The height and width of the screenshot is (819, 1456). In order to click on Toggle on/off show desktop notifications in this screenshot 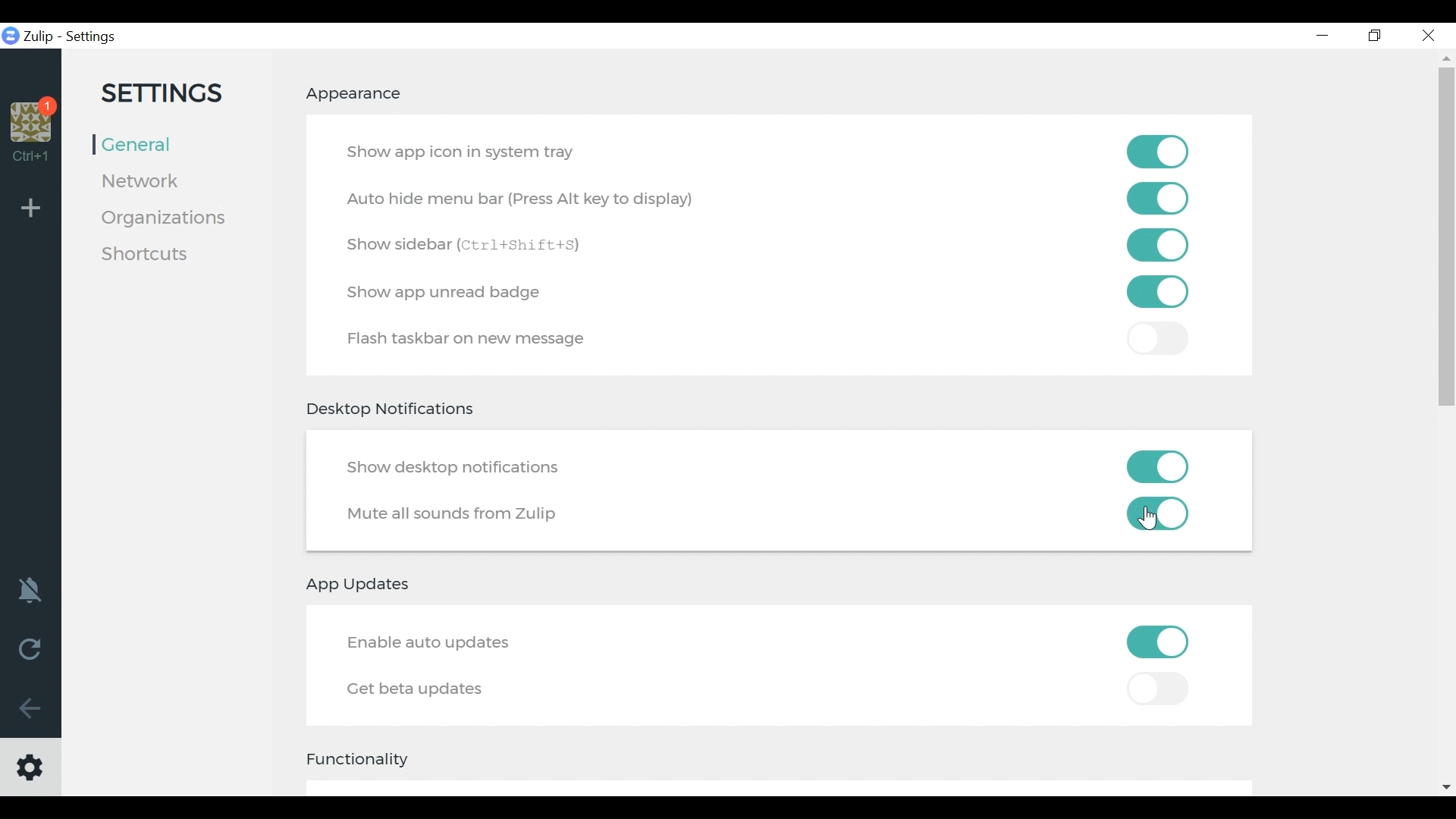, I will do `click(1162, 466)`.